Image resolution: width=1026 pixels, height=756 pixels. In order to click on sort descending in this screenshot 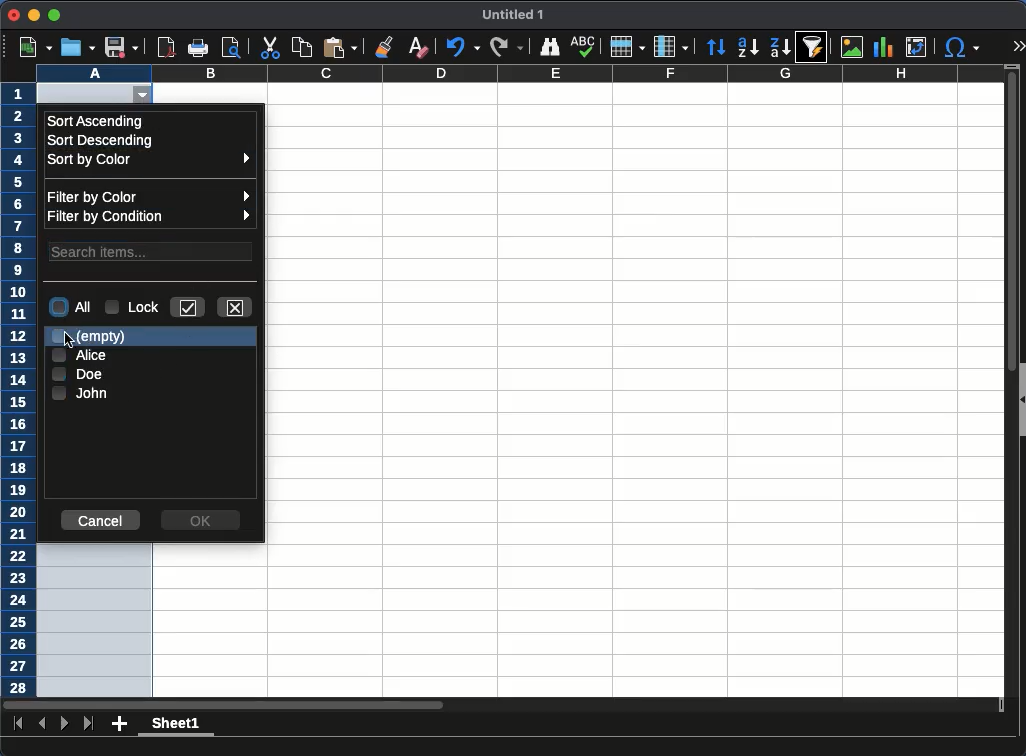, I will do `click(99, 140)`.